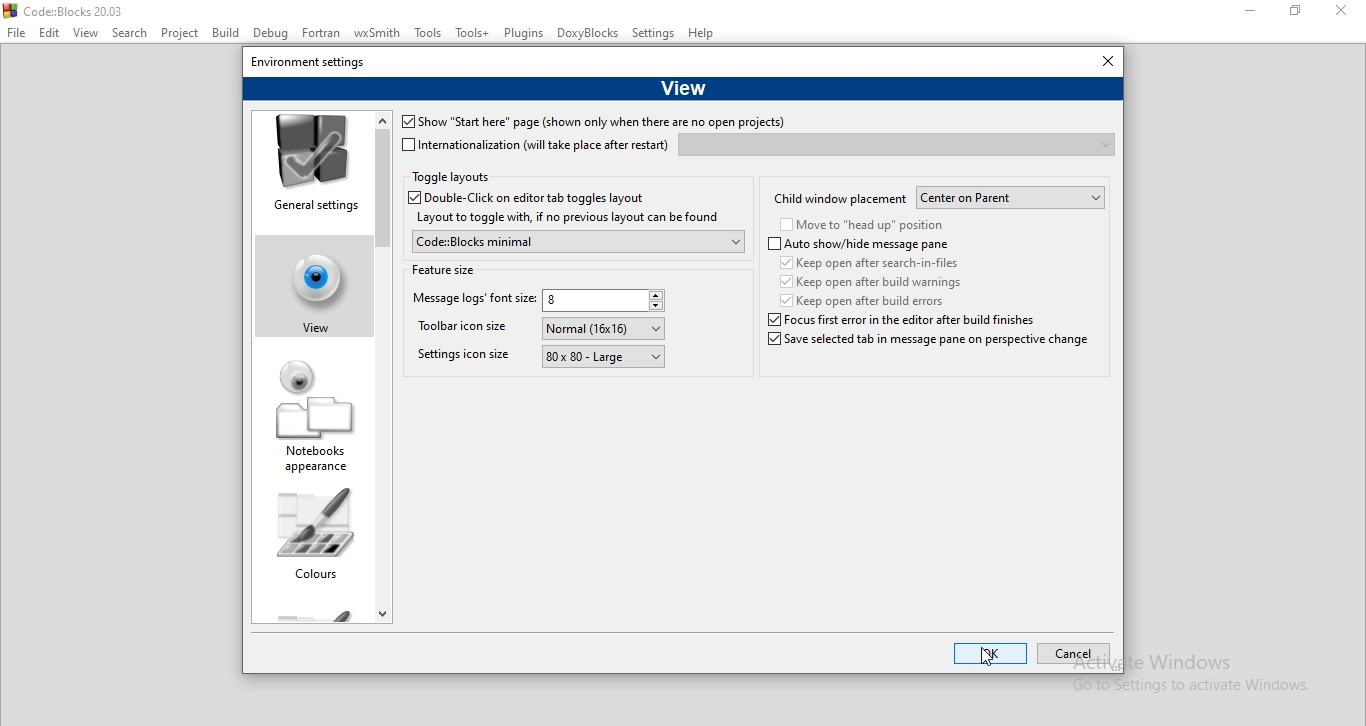  Describe the element at coordinates (467, 330) in the screenshot. I see `Toolbar icon size: Large (24x24)` at that location.